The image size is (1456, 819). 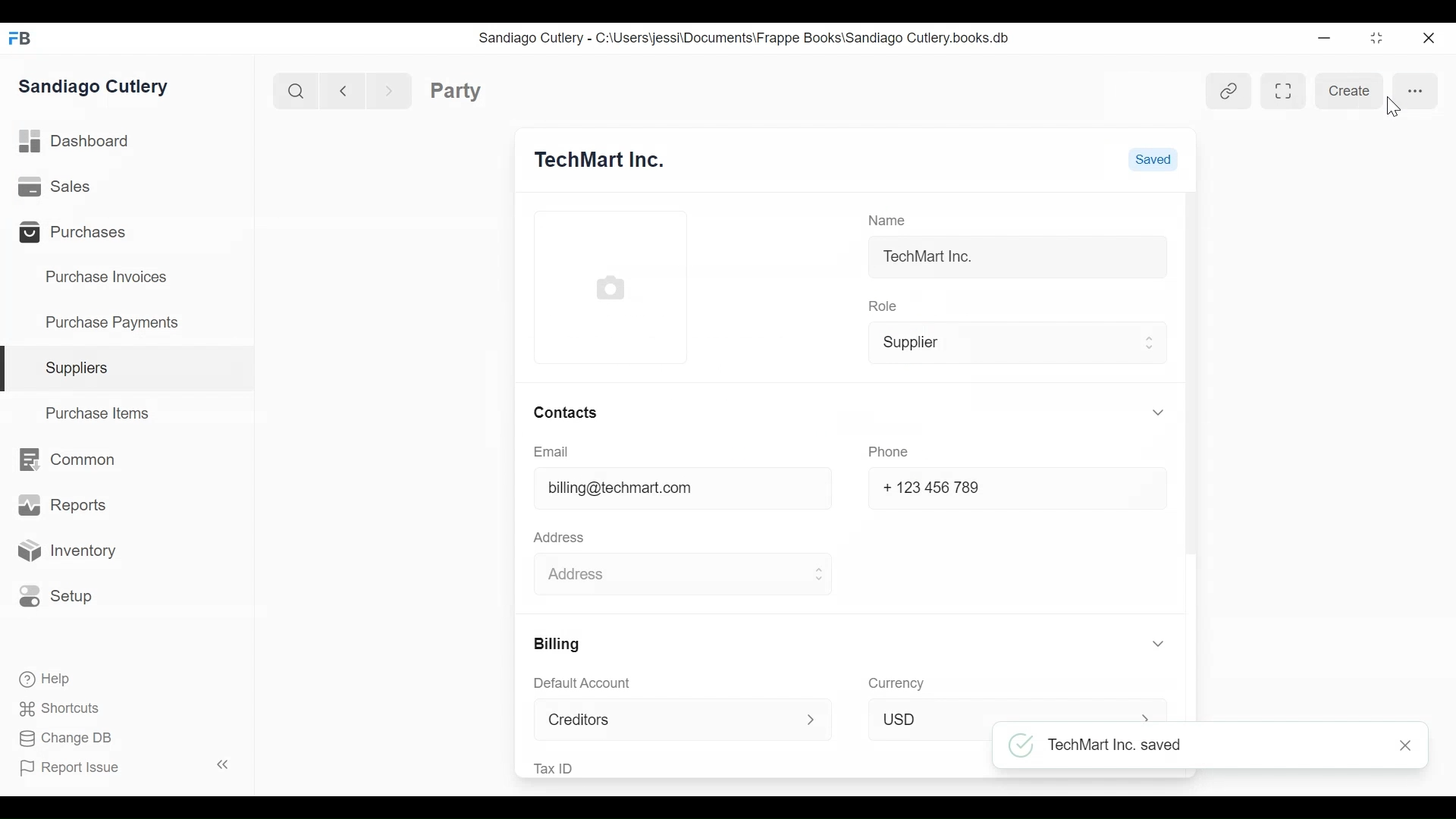 What do you see at coordinates (60, 504) in the screenshot?
I see `Reports` at bounding box center [60, 504].